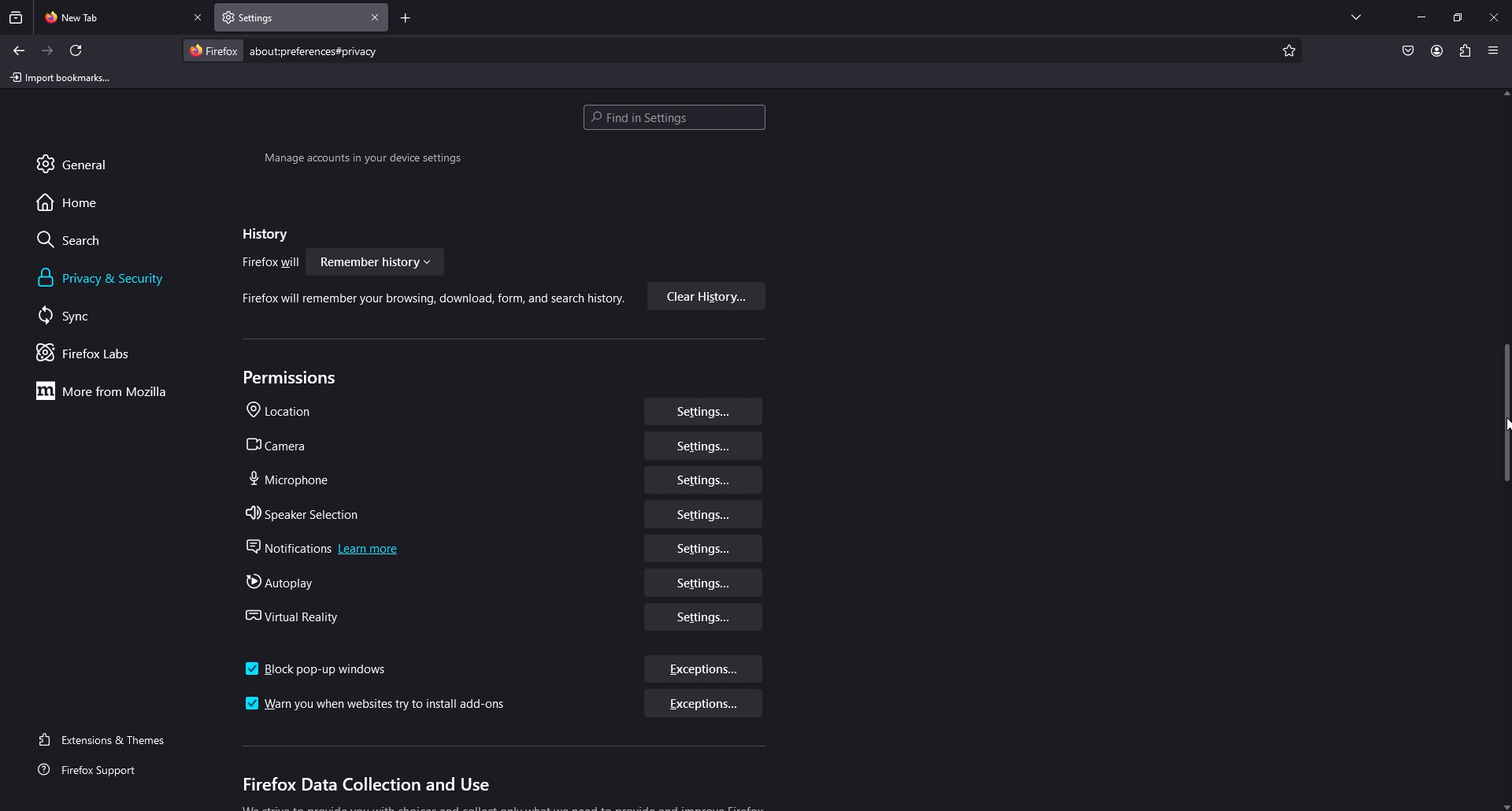 The image size is (1512, 811). I want to click on Manage accounts in your device settings, so click(362, 161).